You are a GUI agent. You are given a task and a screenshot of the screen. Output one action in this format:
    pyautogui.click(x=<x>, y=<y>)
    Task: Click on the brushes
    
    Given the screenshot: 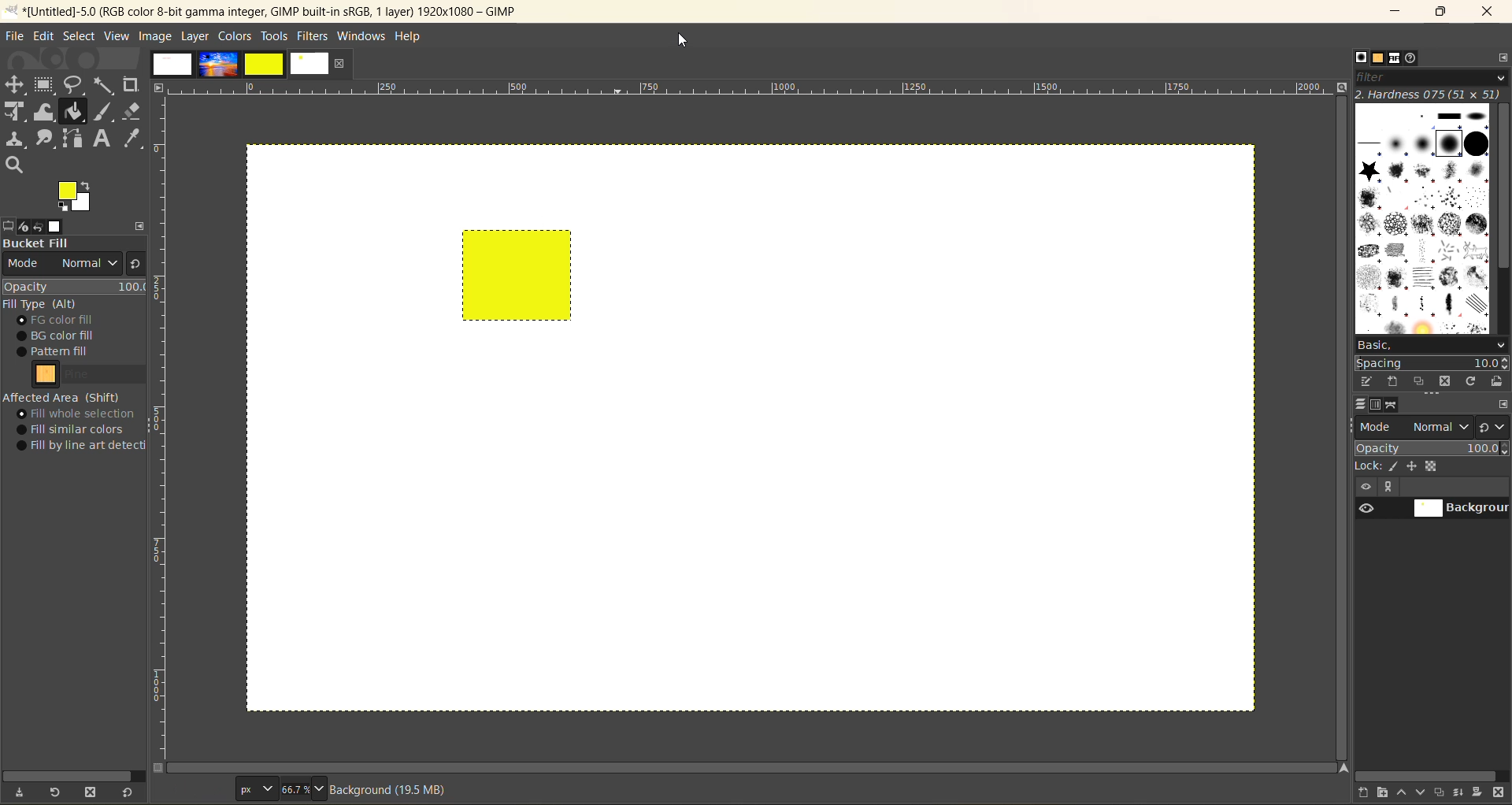 What is the action you would take?
    pyautogui.click(x=1423, y=219)
    